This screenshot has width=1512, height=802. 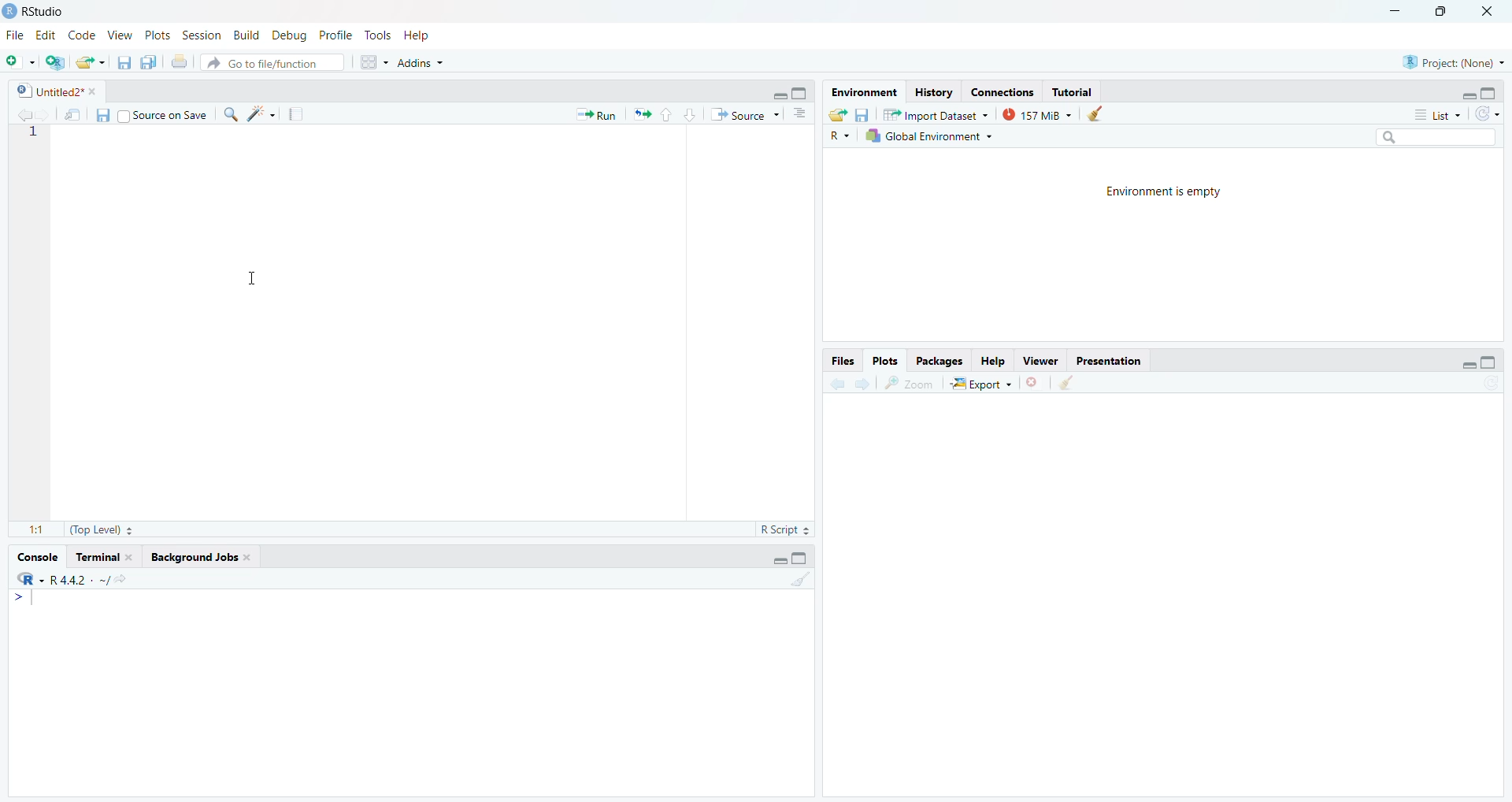 What do you see at coordinates (1438, 113) in the screenshot?
I see `list` at bounding box center [1438, 113].